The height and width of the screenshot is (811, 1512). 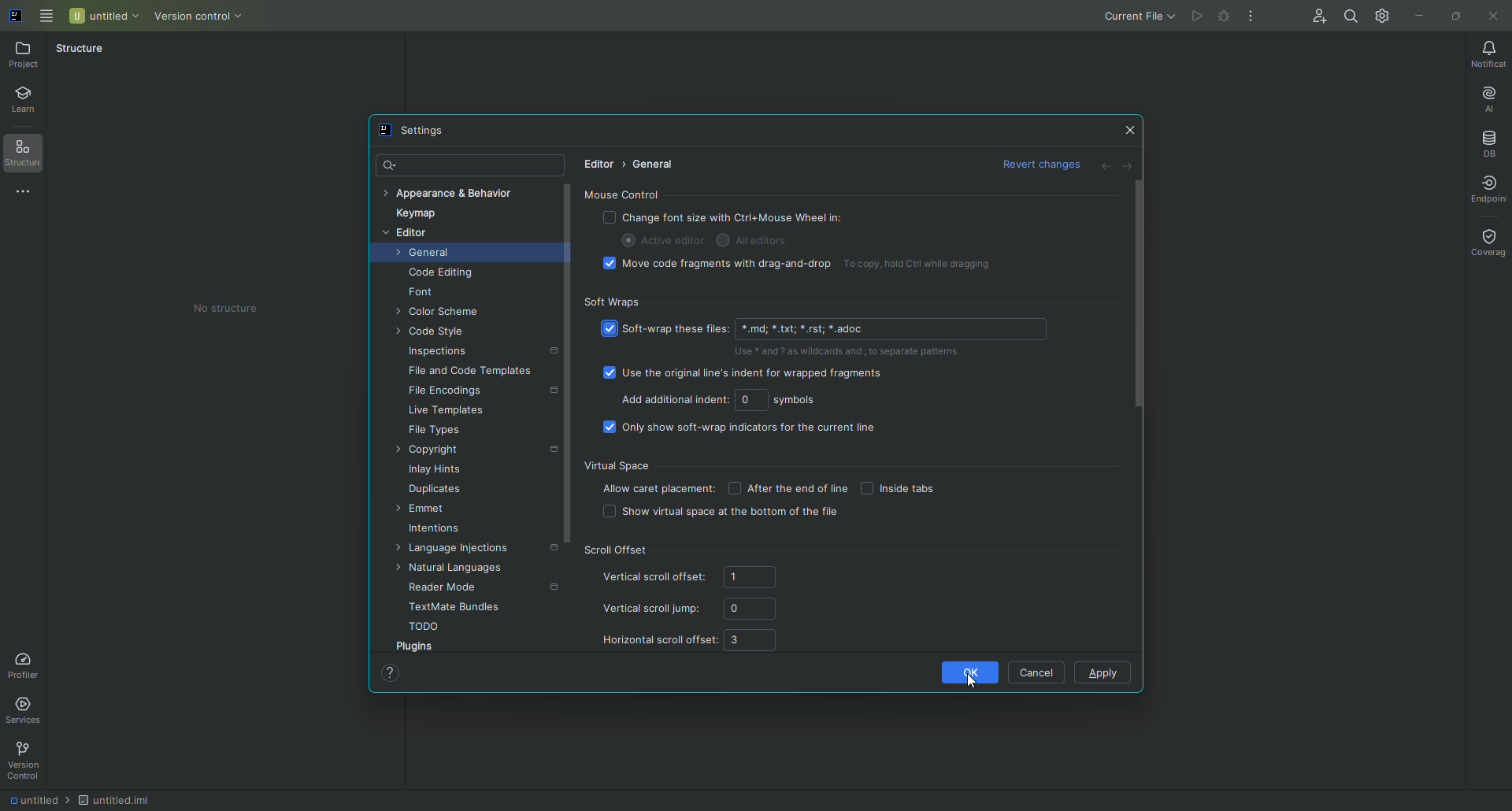 What do you see at coordinates (48, 18) in the screenshot?
I see `Main Menu` at bounding box center [48, 18].